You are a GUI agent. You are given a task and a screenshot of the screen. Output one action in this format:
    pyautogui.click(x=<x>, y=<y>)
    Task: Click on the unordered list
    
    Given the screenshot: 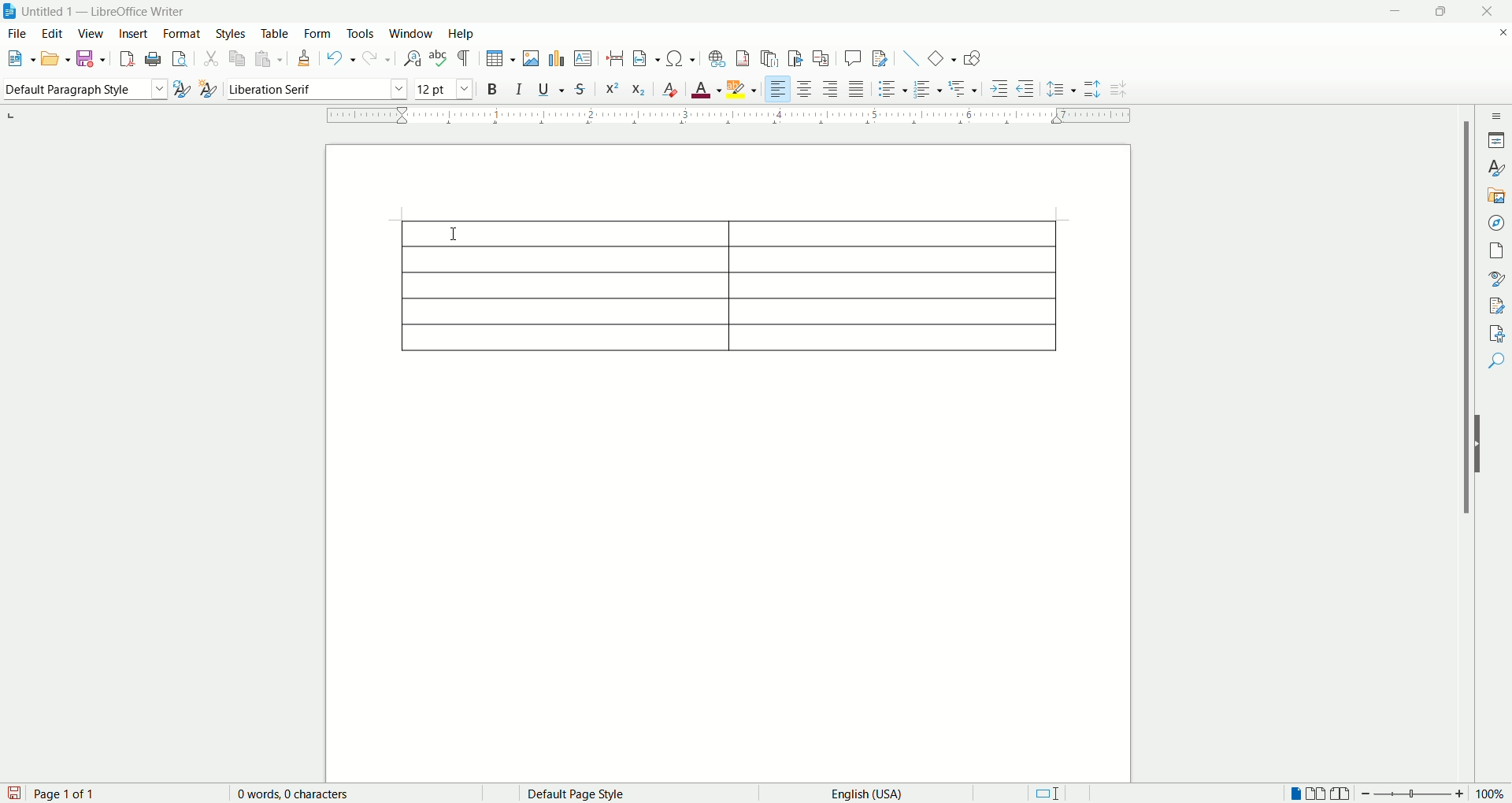 What is the action you would take?
    pyautogui.click(x=891, y=88)
    